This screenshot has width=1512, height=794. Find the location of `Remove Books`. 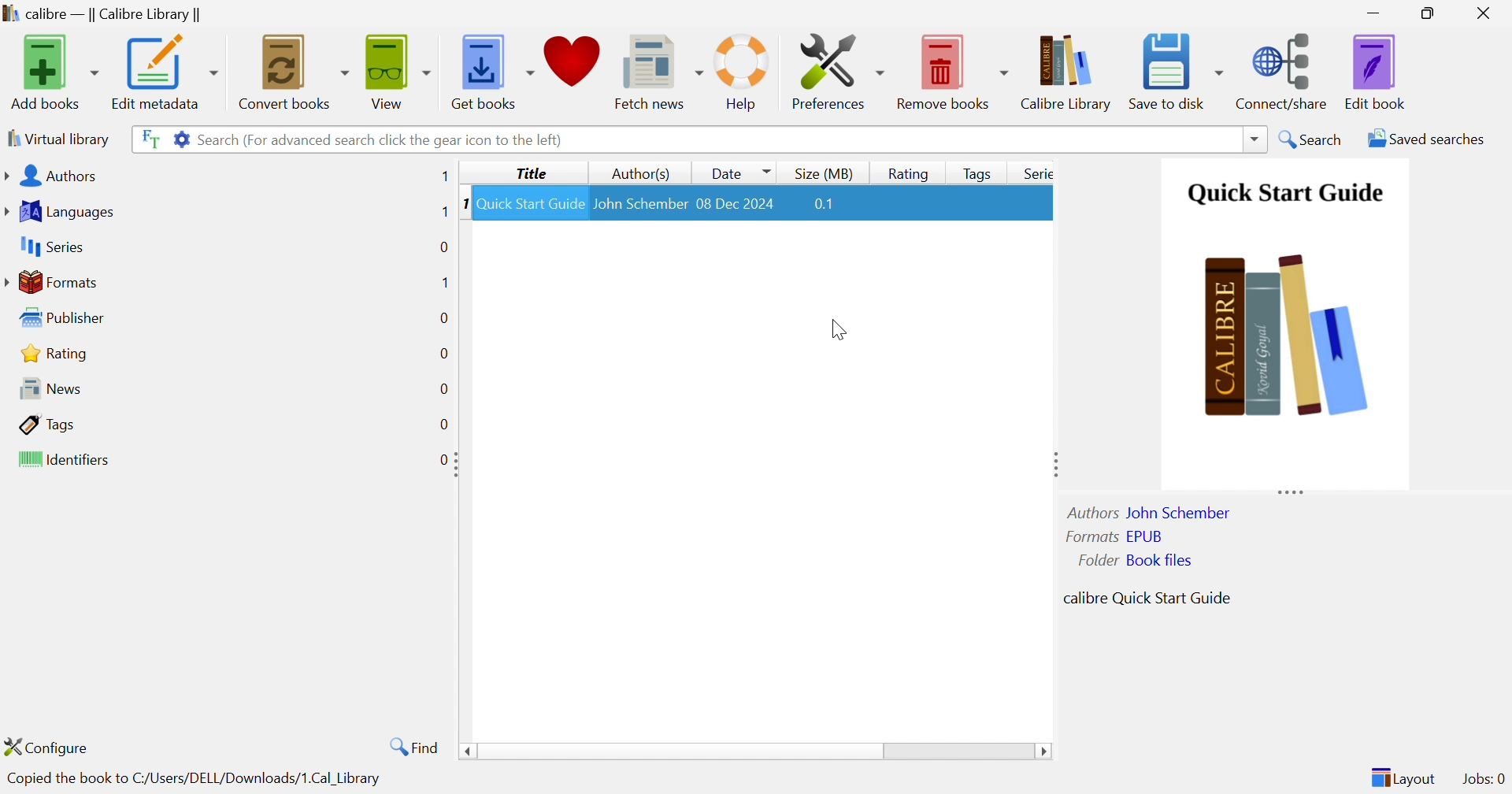

Remove Books is located at coordinates (951, 69).